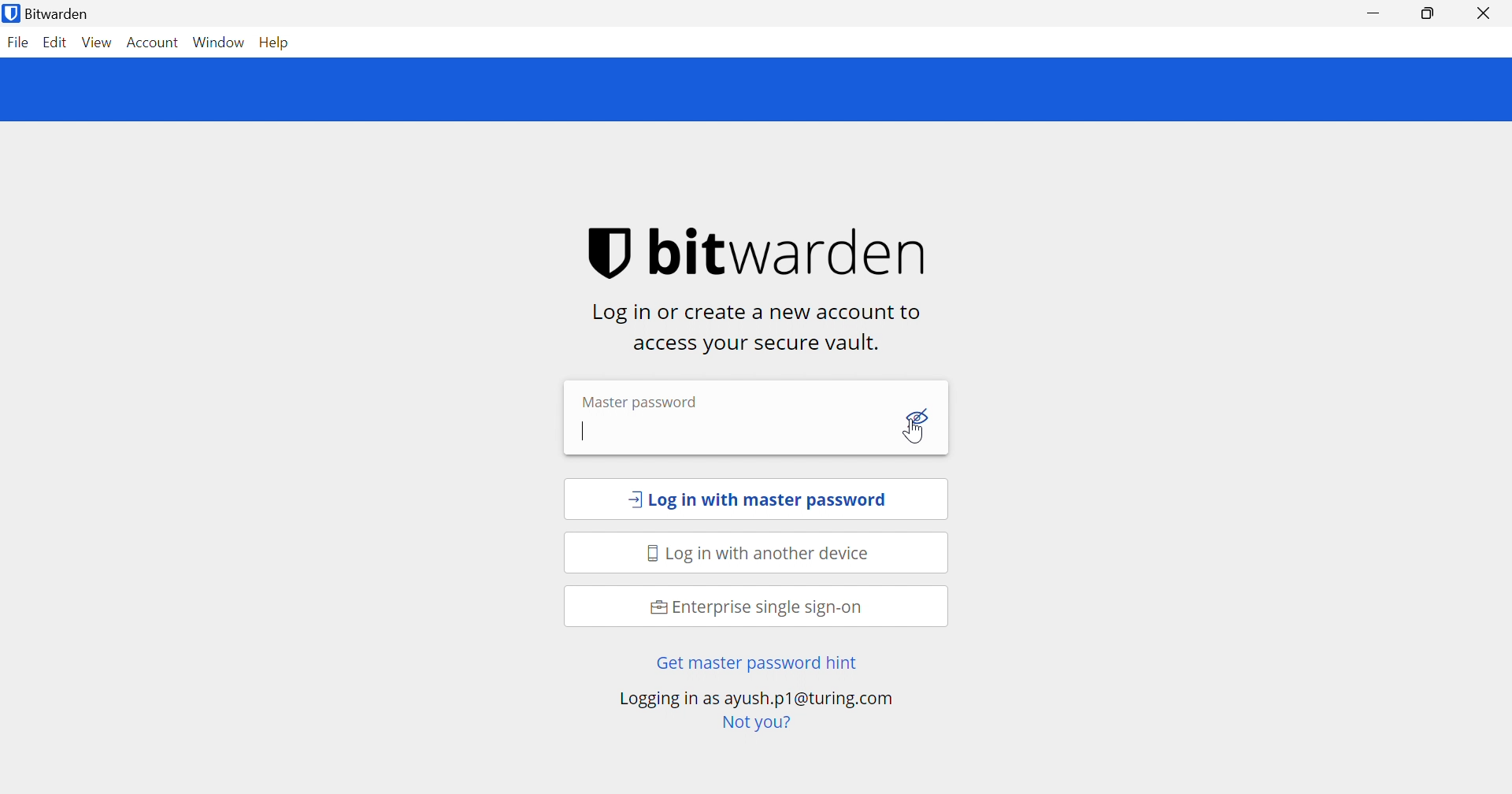  Describe the element at coordinates (754, 344) in the screenshot. I see `access your vault.` at that location.